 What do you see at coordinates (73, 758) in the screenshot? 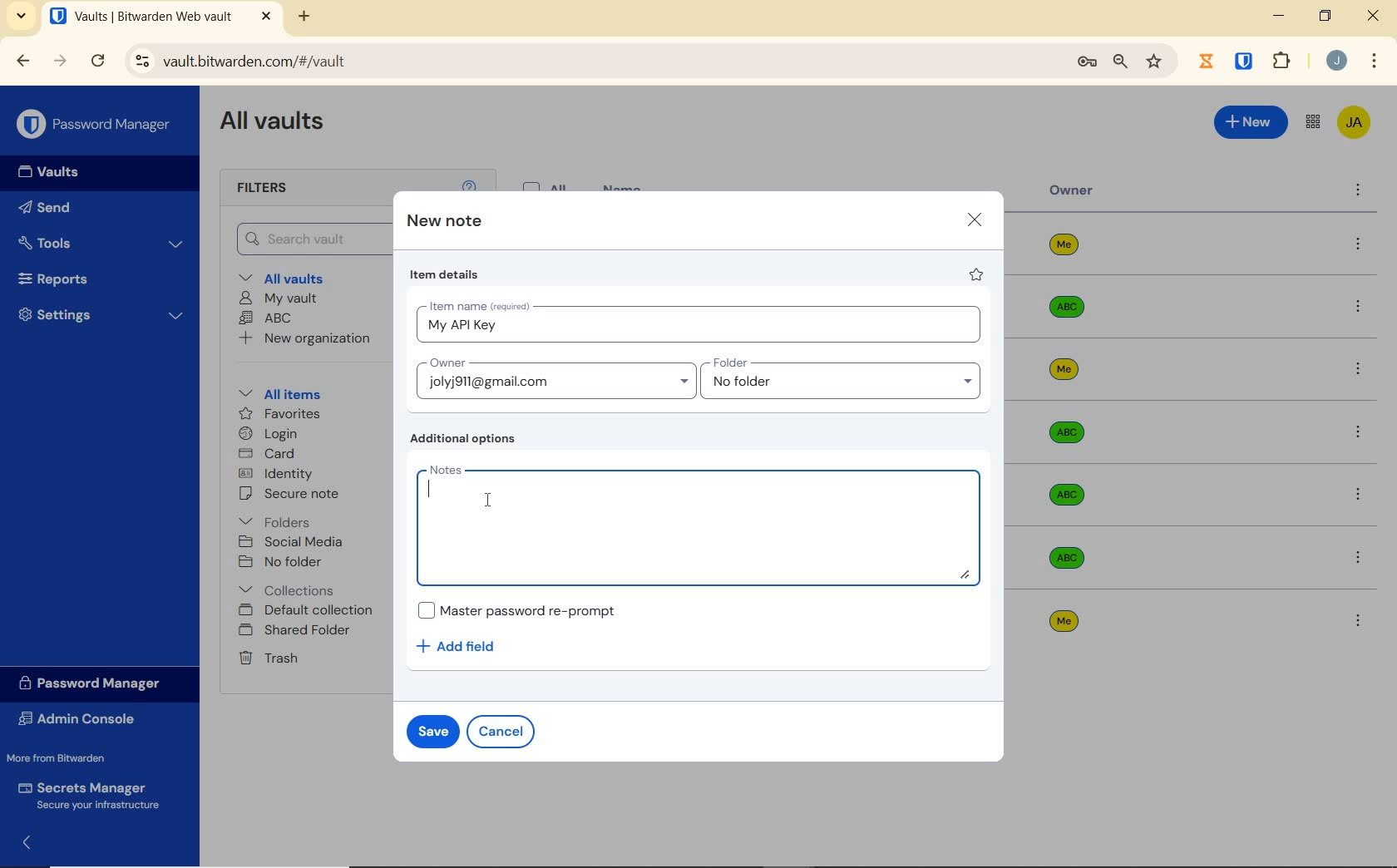
I see `More from Bitwarden` at bounding box center [73, 758].